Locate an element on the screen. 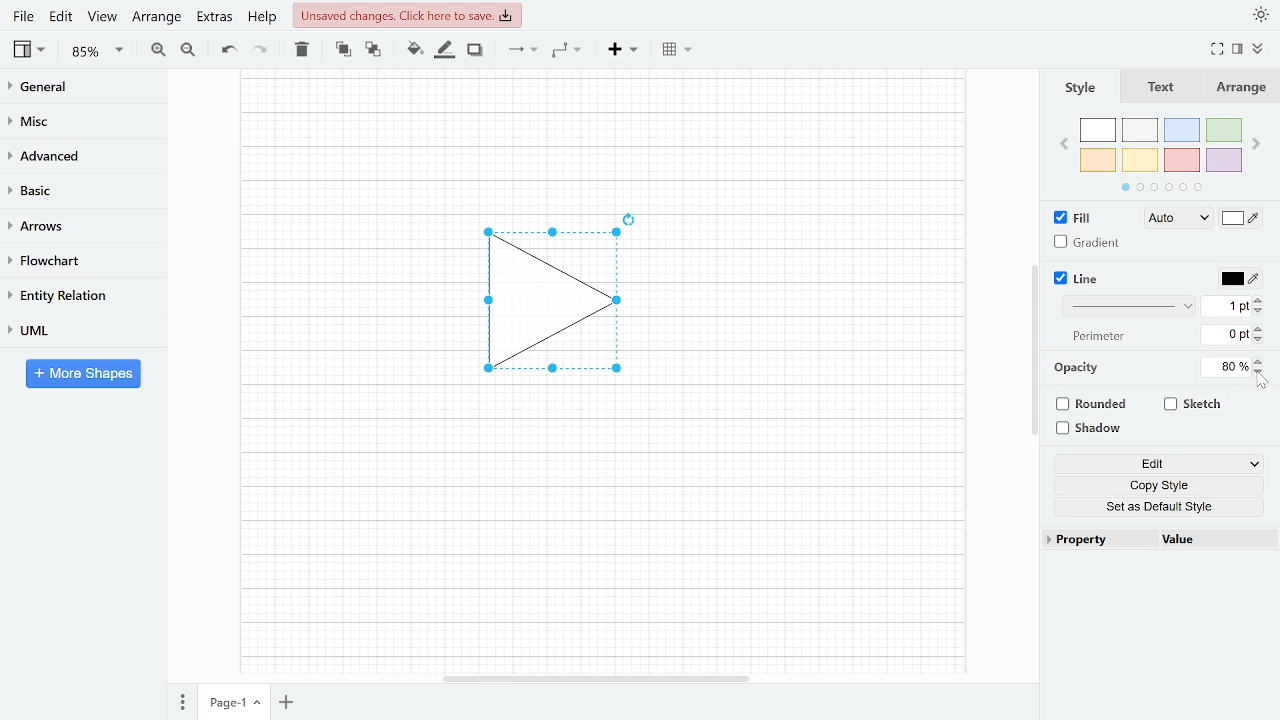  Delete is located at coordinates (300, 49).